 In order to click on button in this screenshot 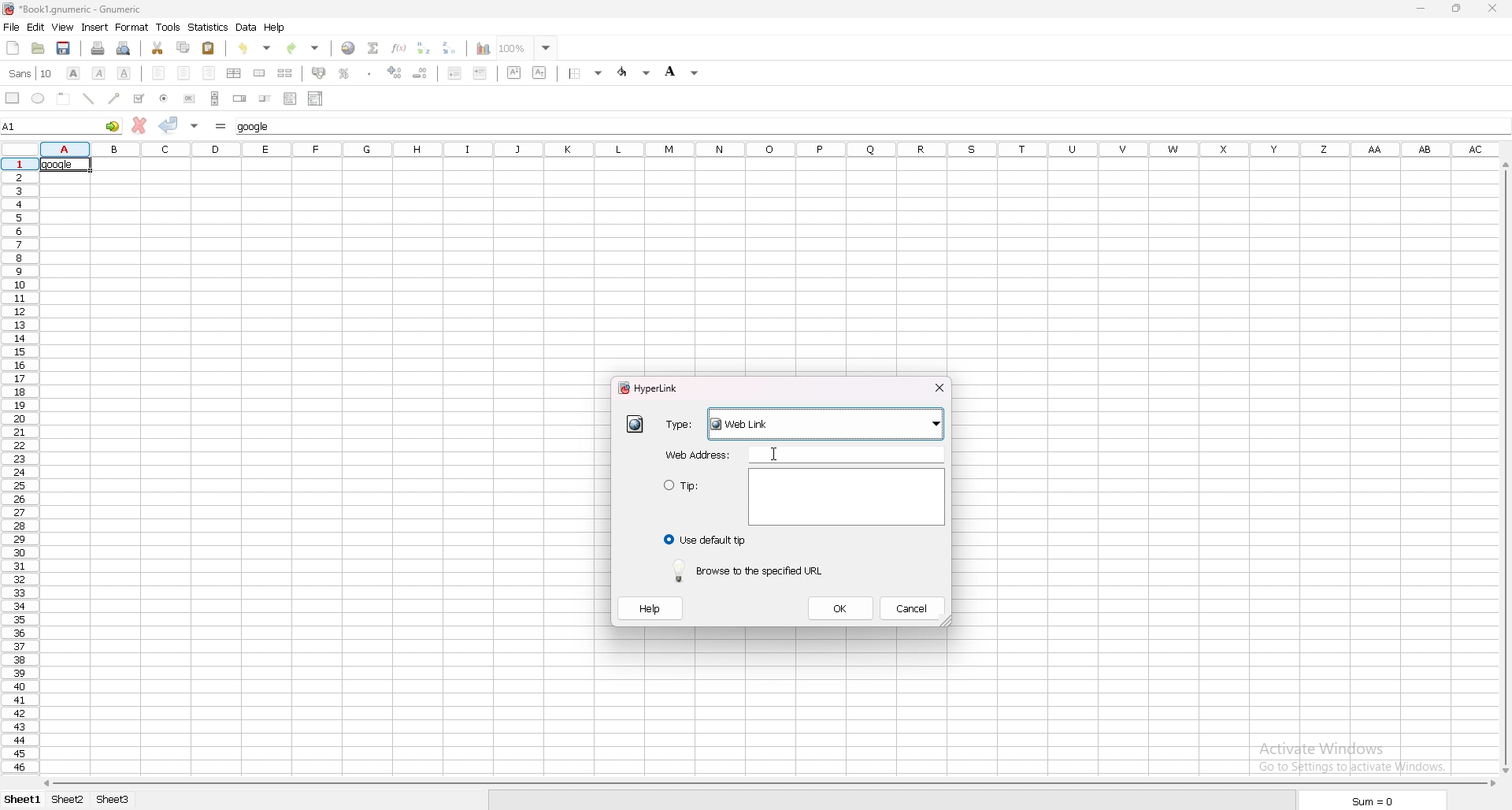, I will do `click(191, 98)`.